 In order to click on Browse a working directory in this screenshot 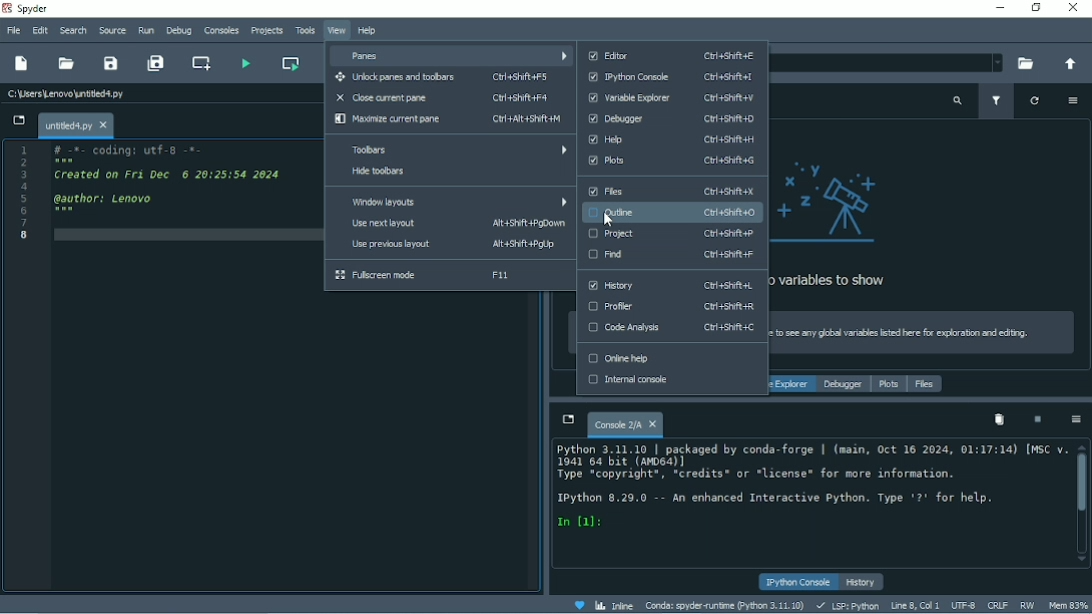, I will do `click(1025, 63)`.